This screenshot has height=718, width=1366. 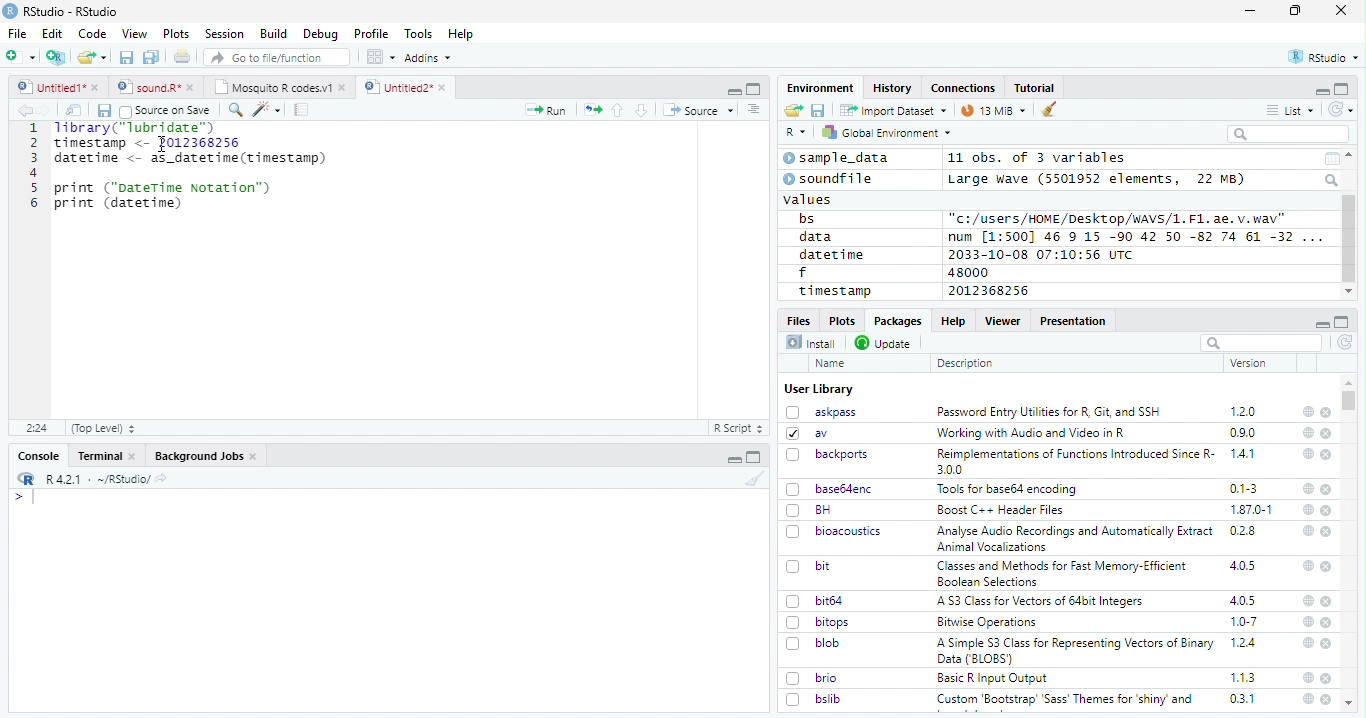 I want to click on library ("lubridate") Timestamp <- 2012368256]datetime <- as_datetime(timestamp), so click(x=188, y=144).